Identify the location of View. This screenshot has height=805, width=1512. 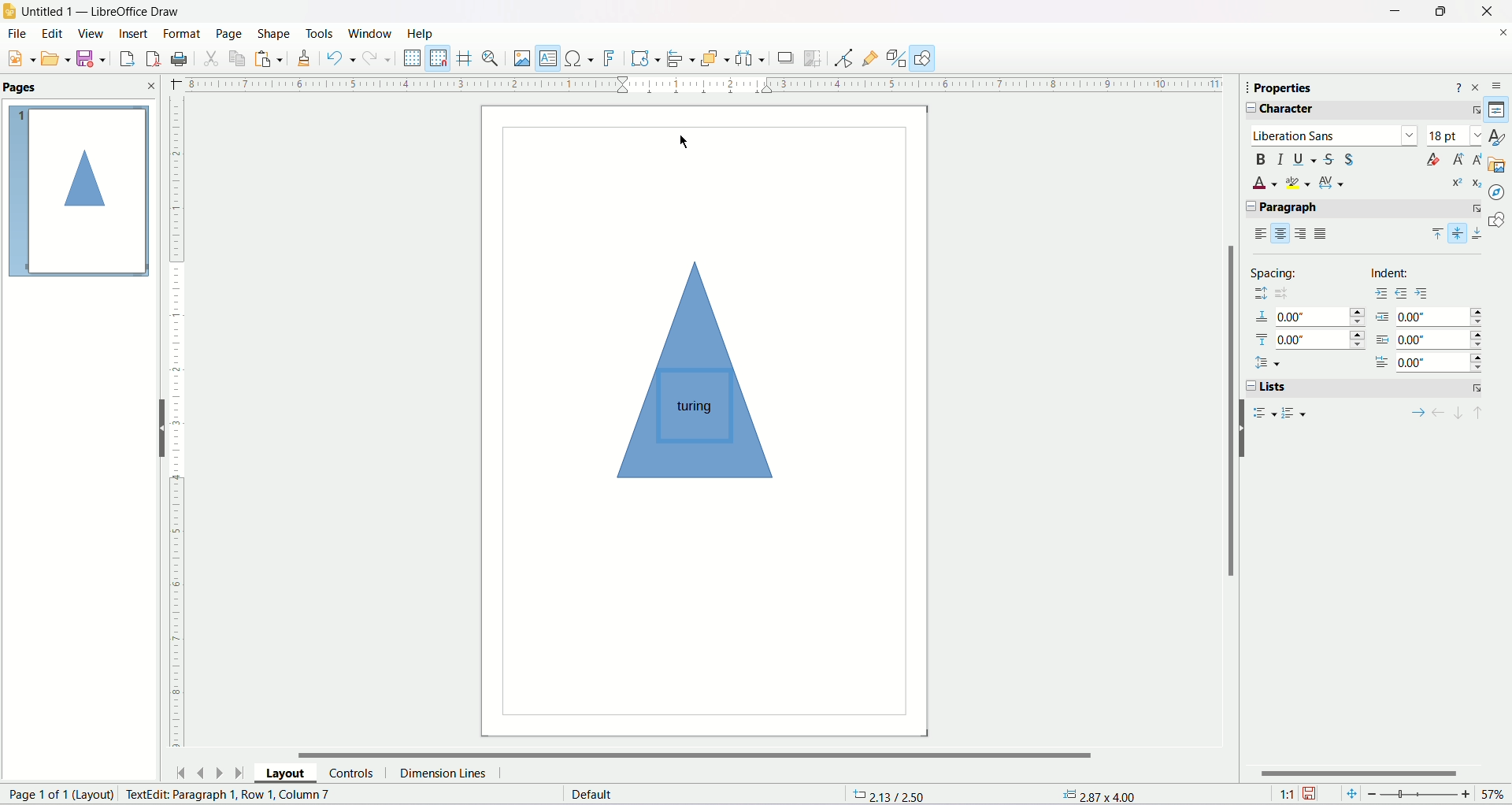
(89, 34).